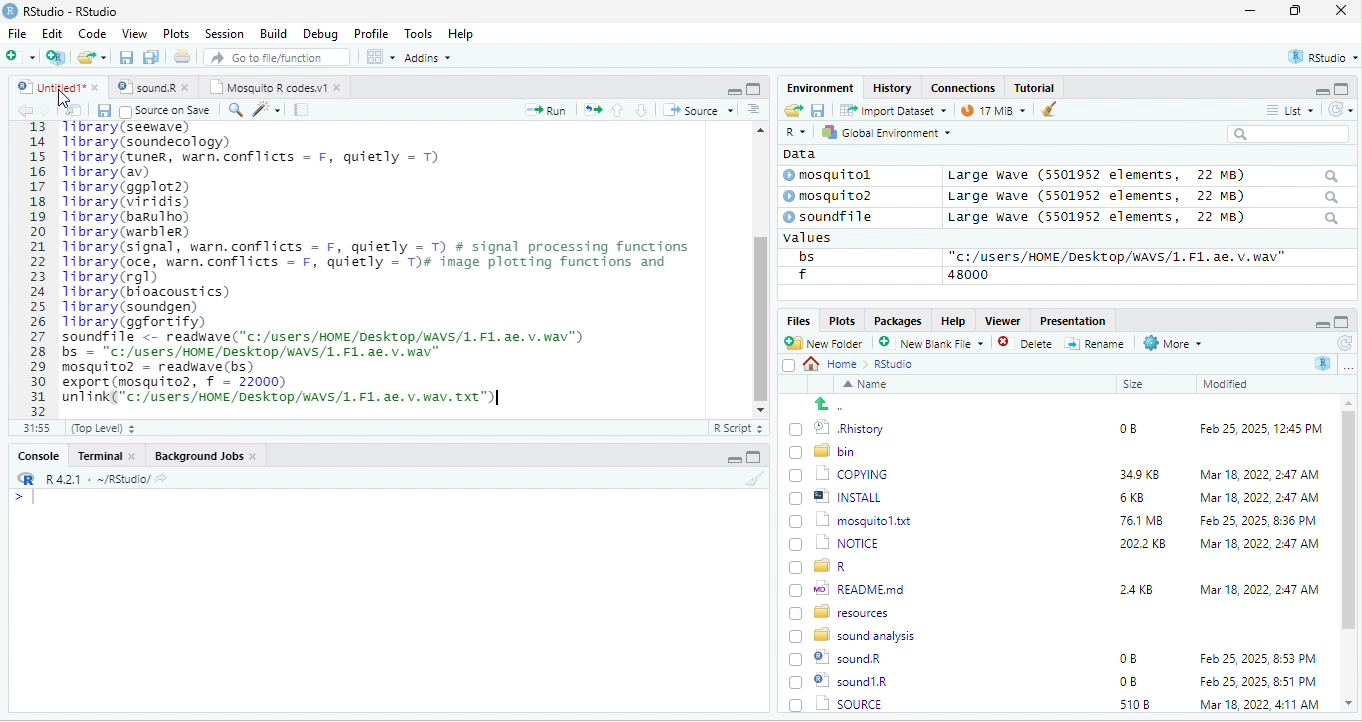  Describe the element at coordinates (901, 320) in the screenshot. I see `Packages` at that location.